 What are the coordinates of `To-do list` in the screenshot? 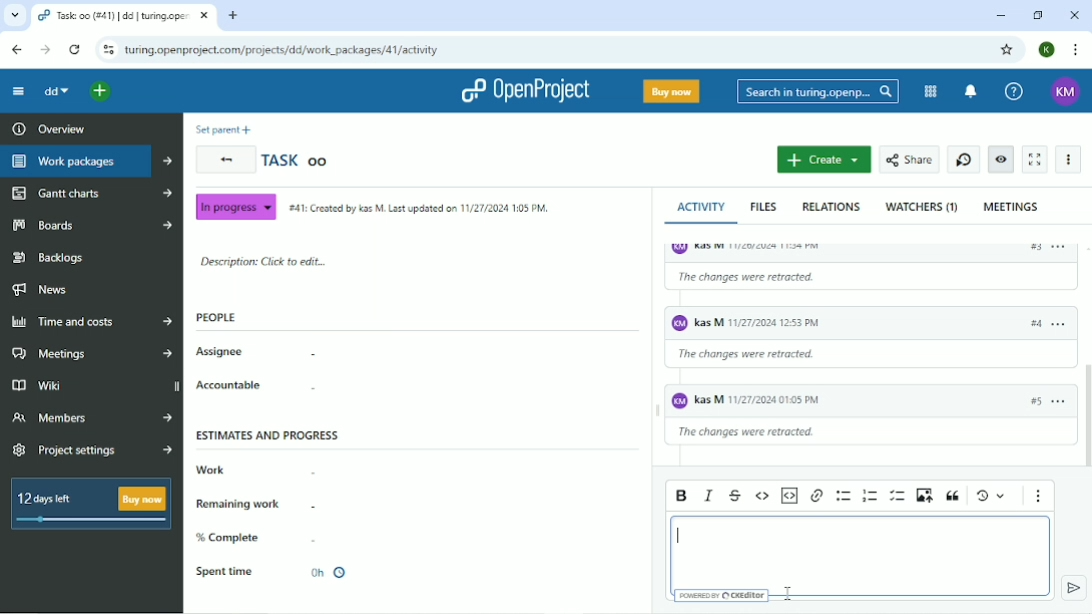 It's located at (898, 496).